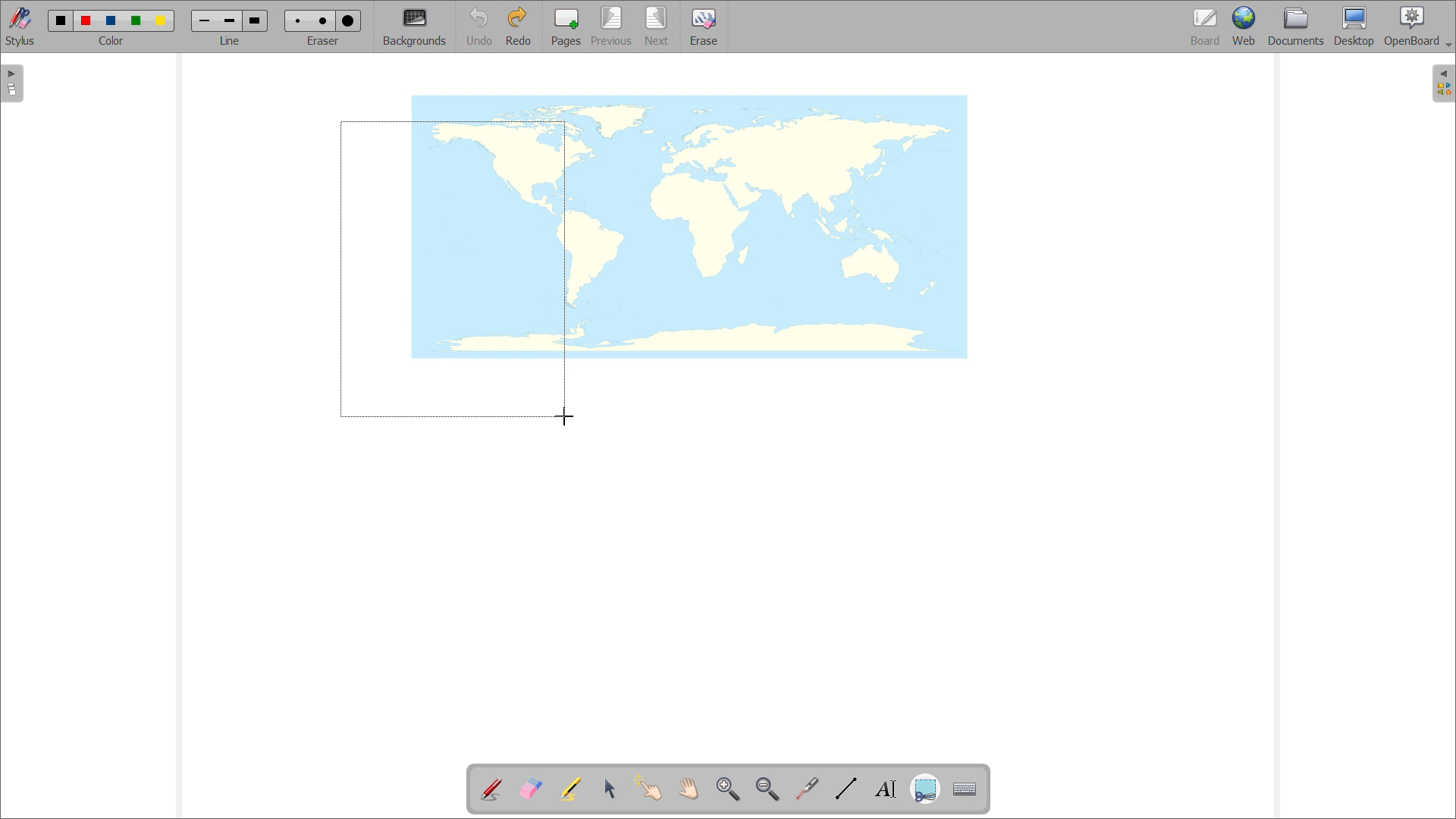 The image size is (1456, 819). What do you see at coordinates (111, 21) in the screenshot?
I see `blue` at bounding box center [111, 21].